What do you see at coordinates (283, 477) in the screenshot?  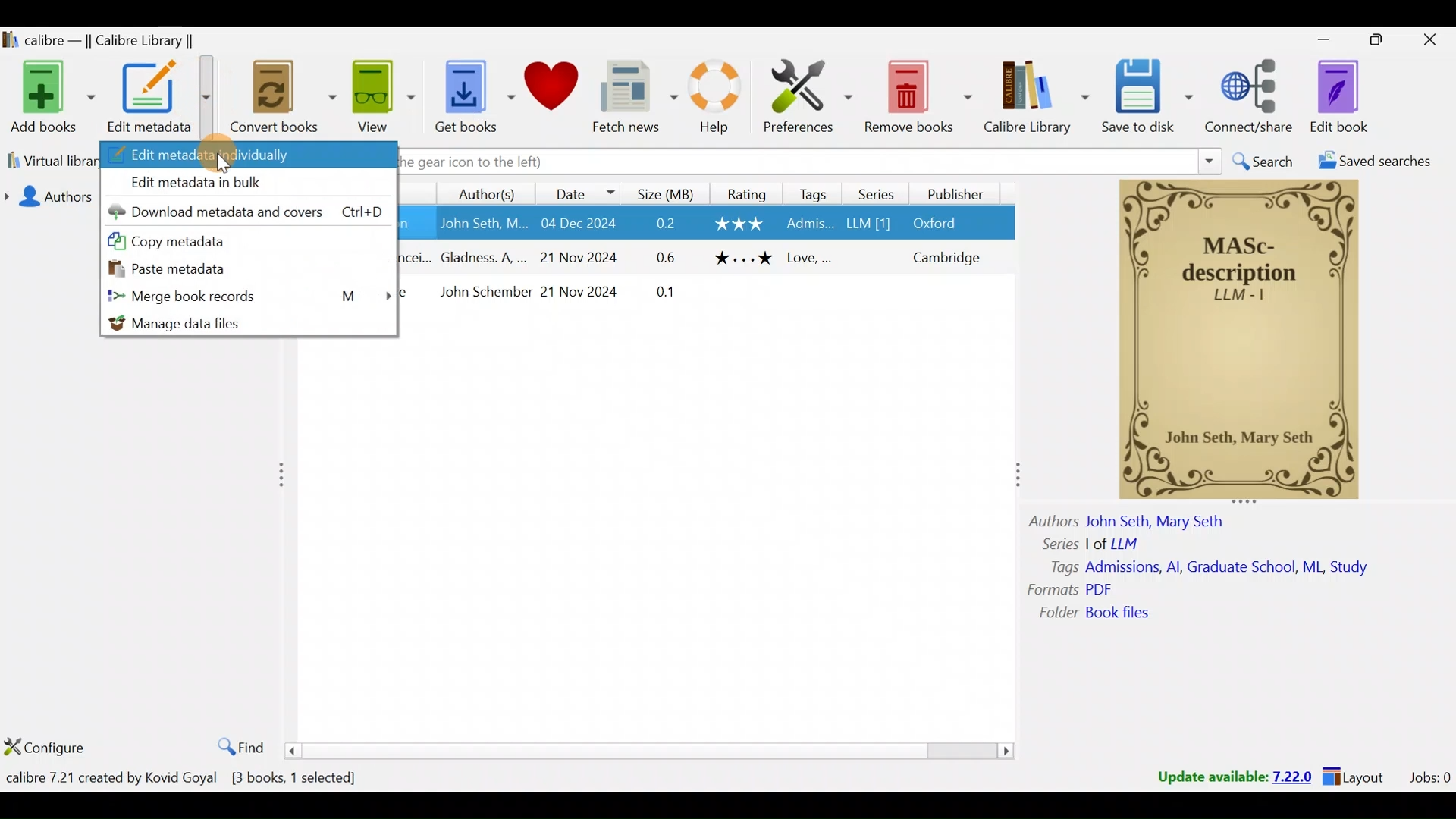 I see `` at bounding box center [283, 477].